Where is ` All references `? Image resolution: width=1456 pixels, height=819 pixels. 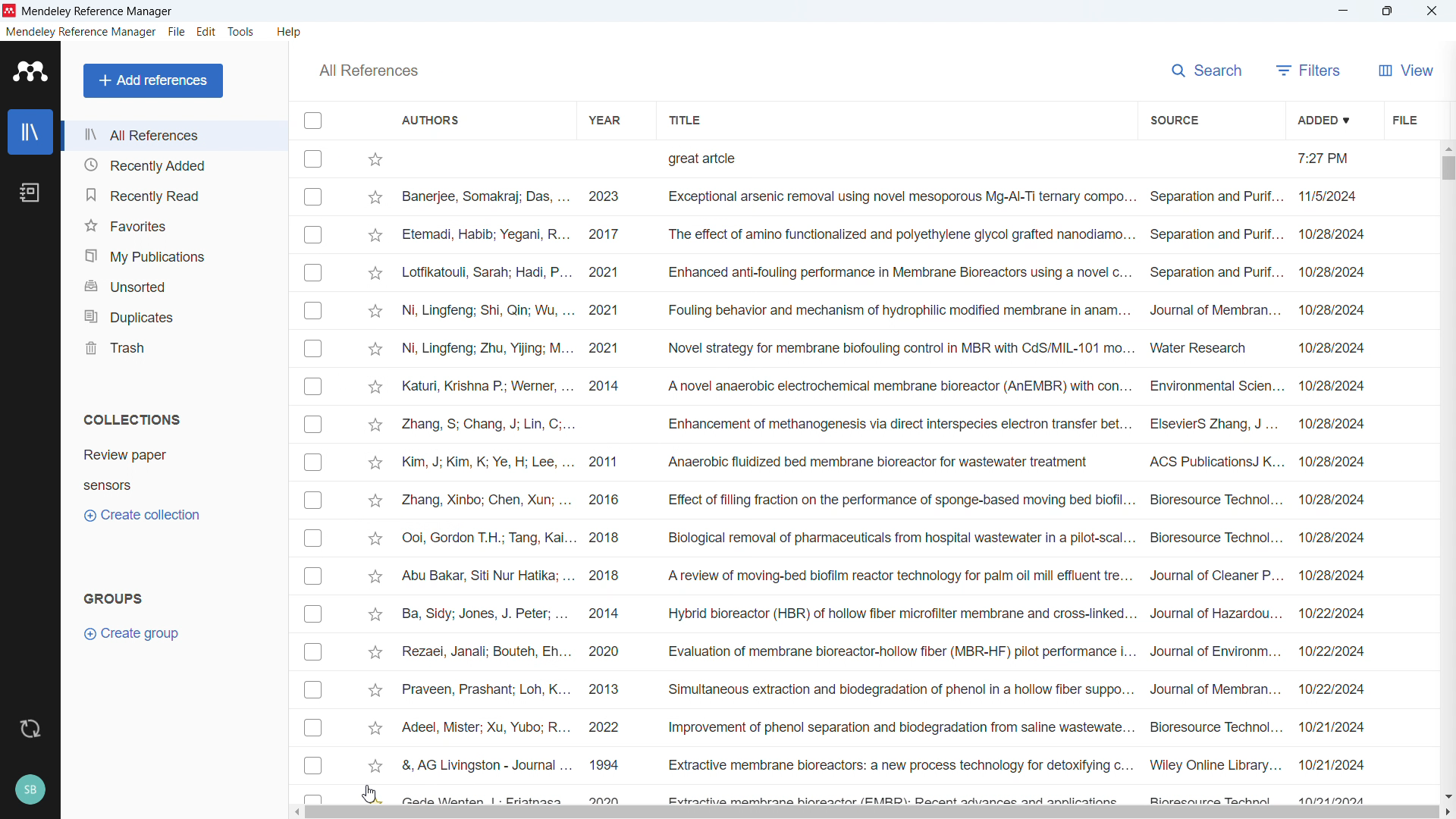  All references  is located at coordinates (368, 71).